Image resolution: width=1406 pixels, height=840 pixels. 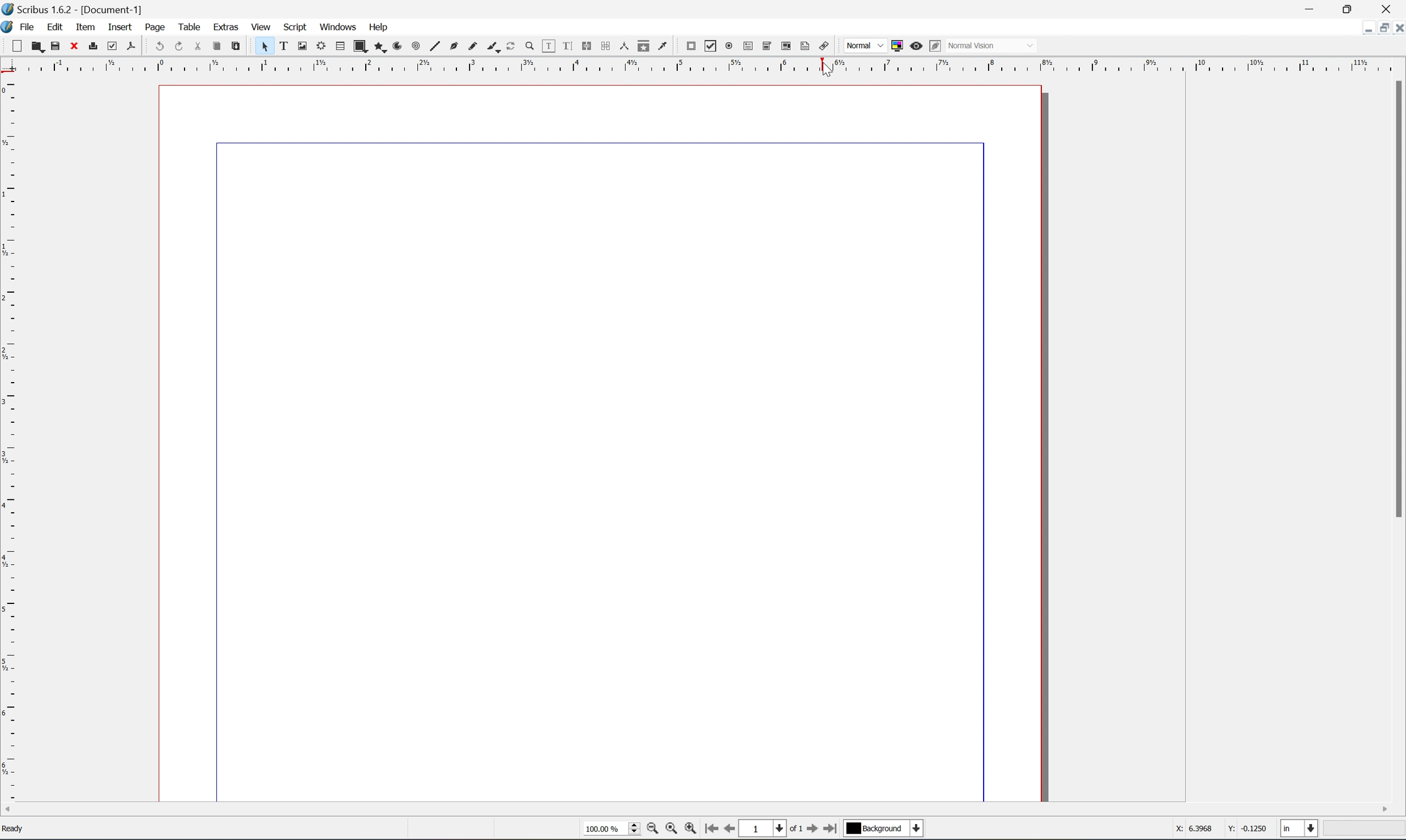 What do you see at coordinates (494, 46) in the screenshot?
I see `calligraphic line` at bounding box center [494, 46].